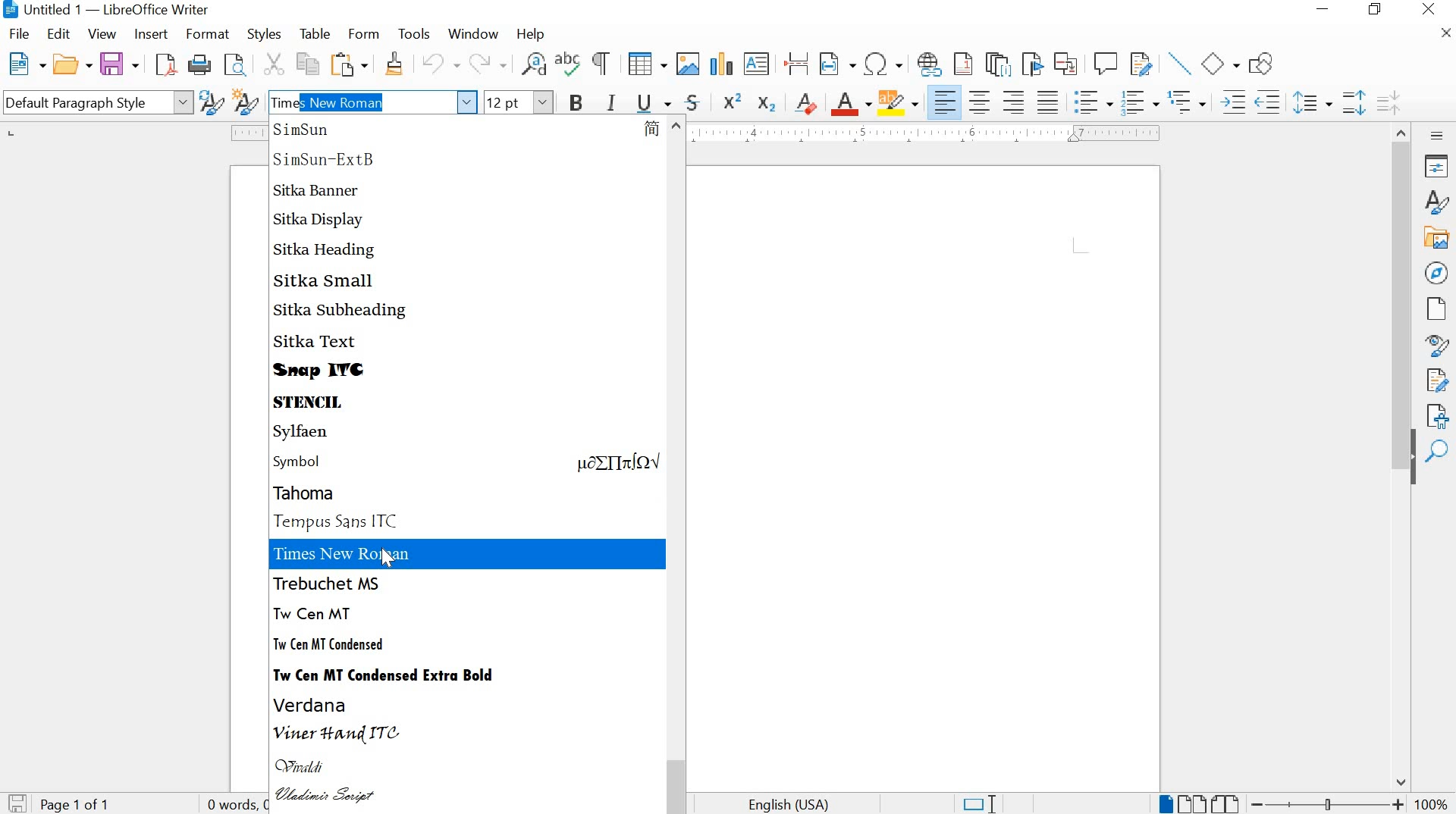 The width and height of the screenshot is (1456, 814). I want to click on TOGGLE ORDERED LIST, so click(1141, 102).